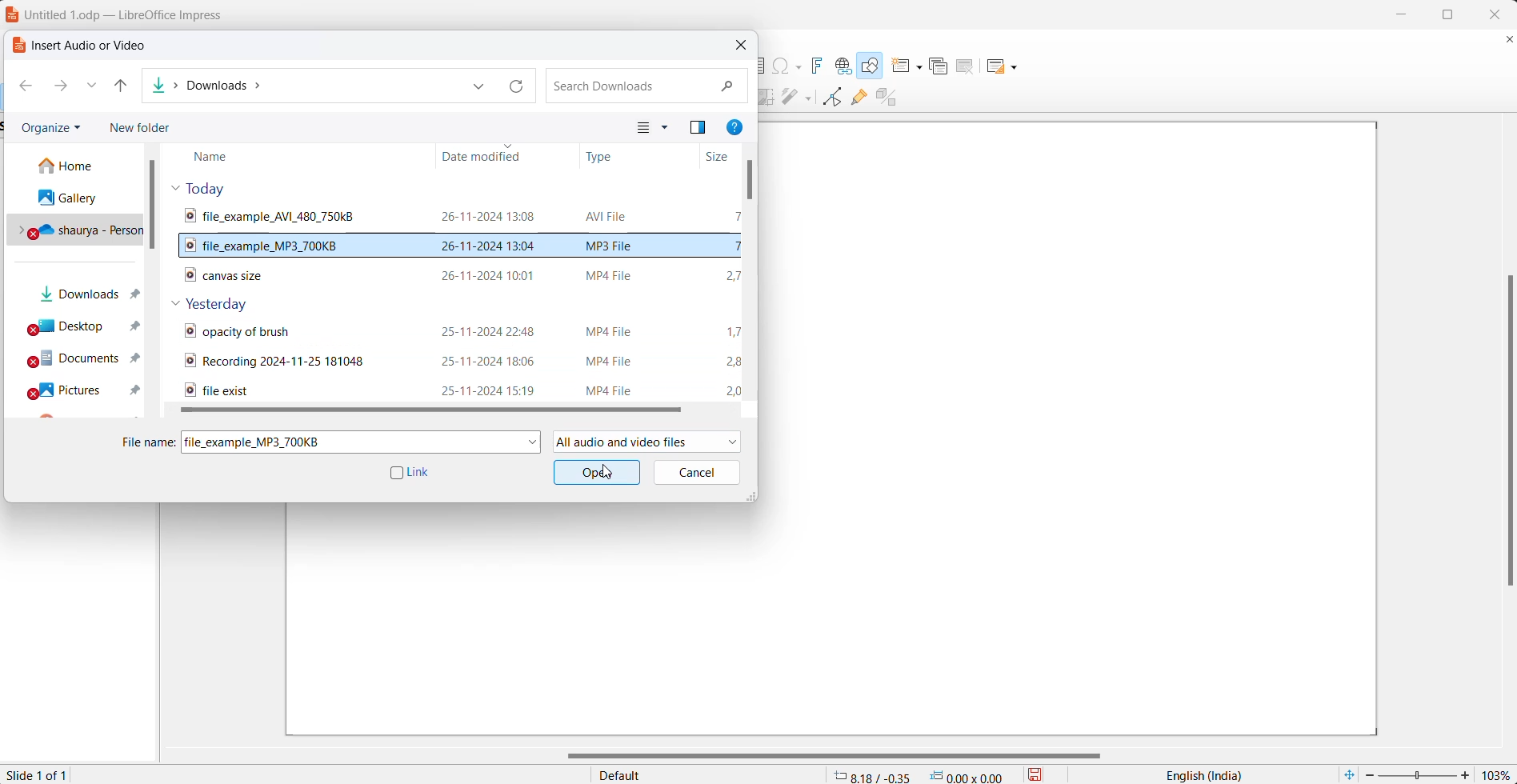 The width and height of the screenshot is (1517, 784). Describe the element at coordinates (616, 272) in the screenshot. I see `video file format` at that location.